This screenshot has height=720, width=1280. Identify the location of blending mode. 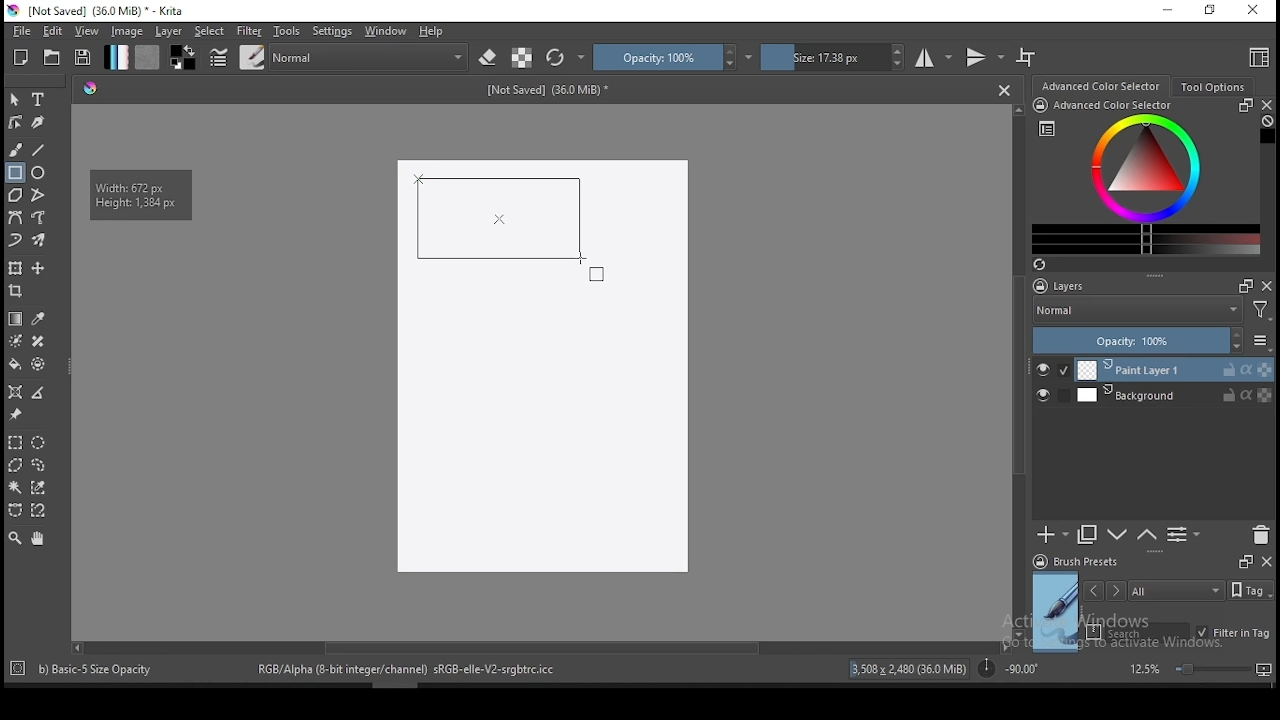
(370, 57).